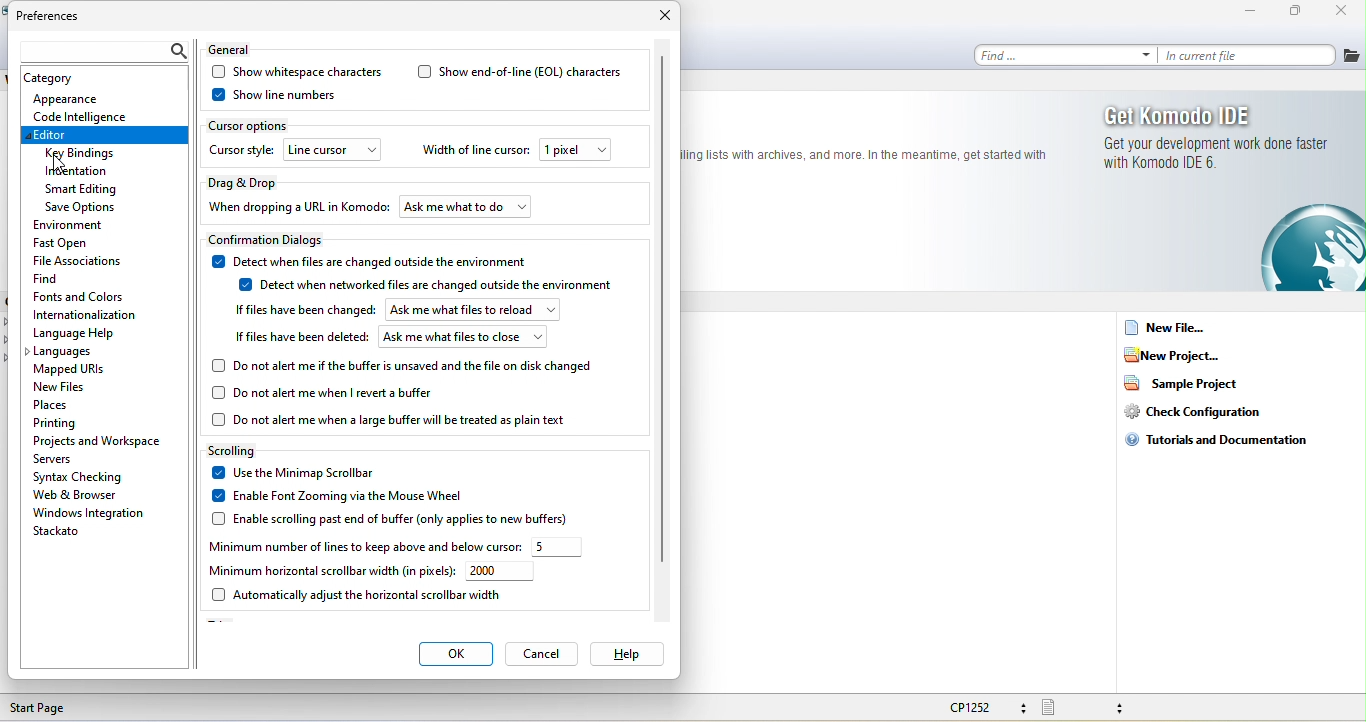 This screenshot has height=722, width=1366. I want to click on detect when networked files are changed outside the environment, so click(433, 287).